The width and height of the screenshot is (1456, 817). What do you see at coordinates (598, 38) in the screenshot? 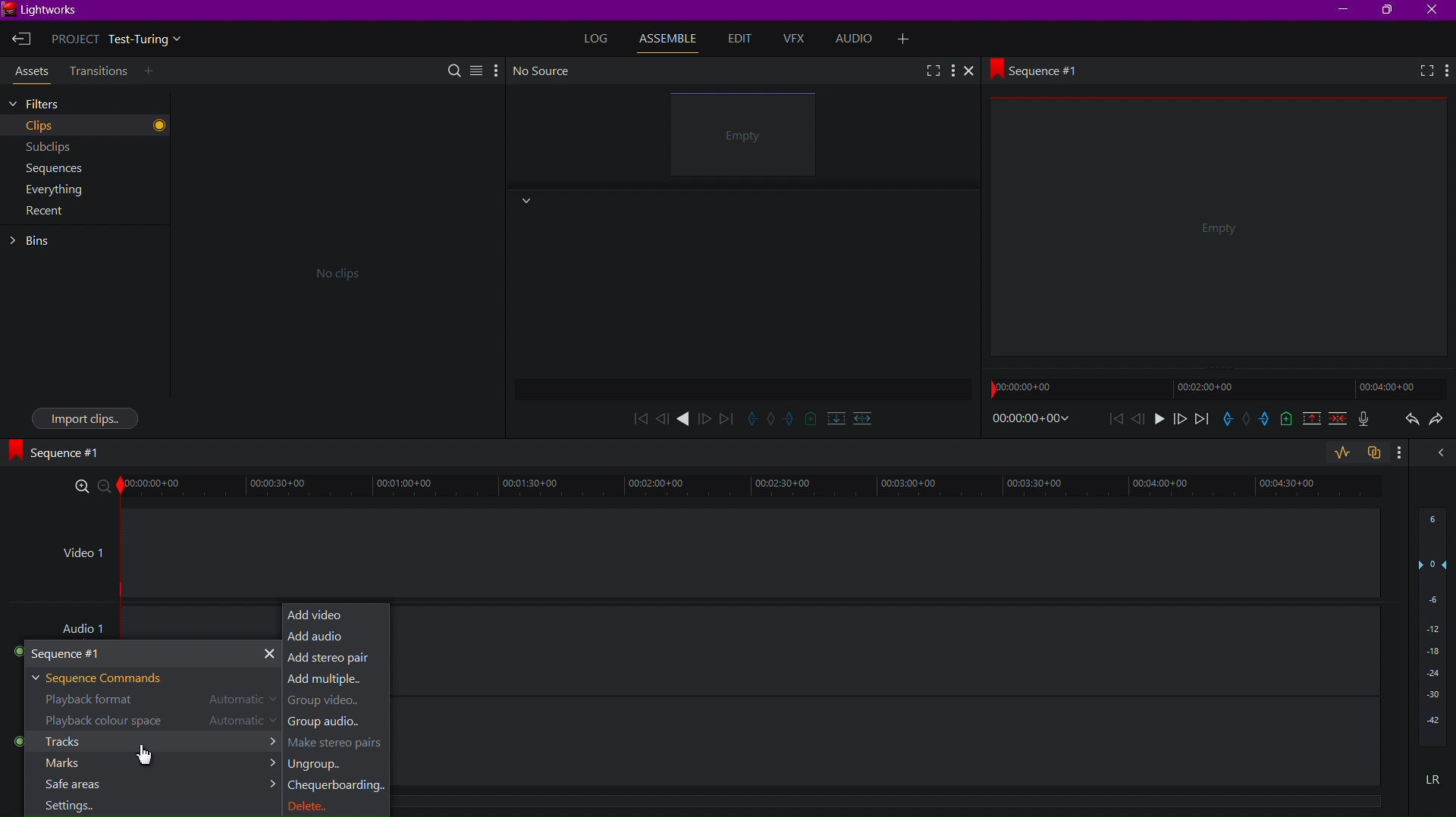
I see `Log` at bounding box center [598, 38].